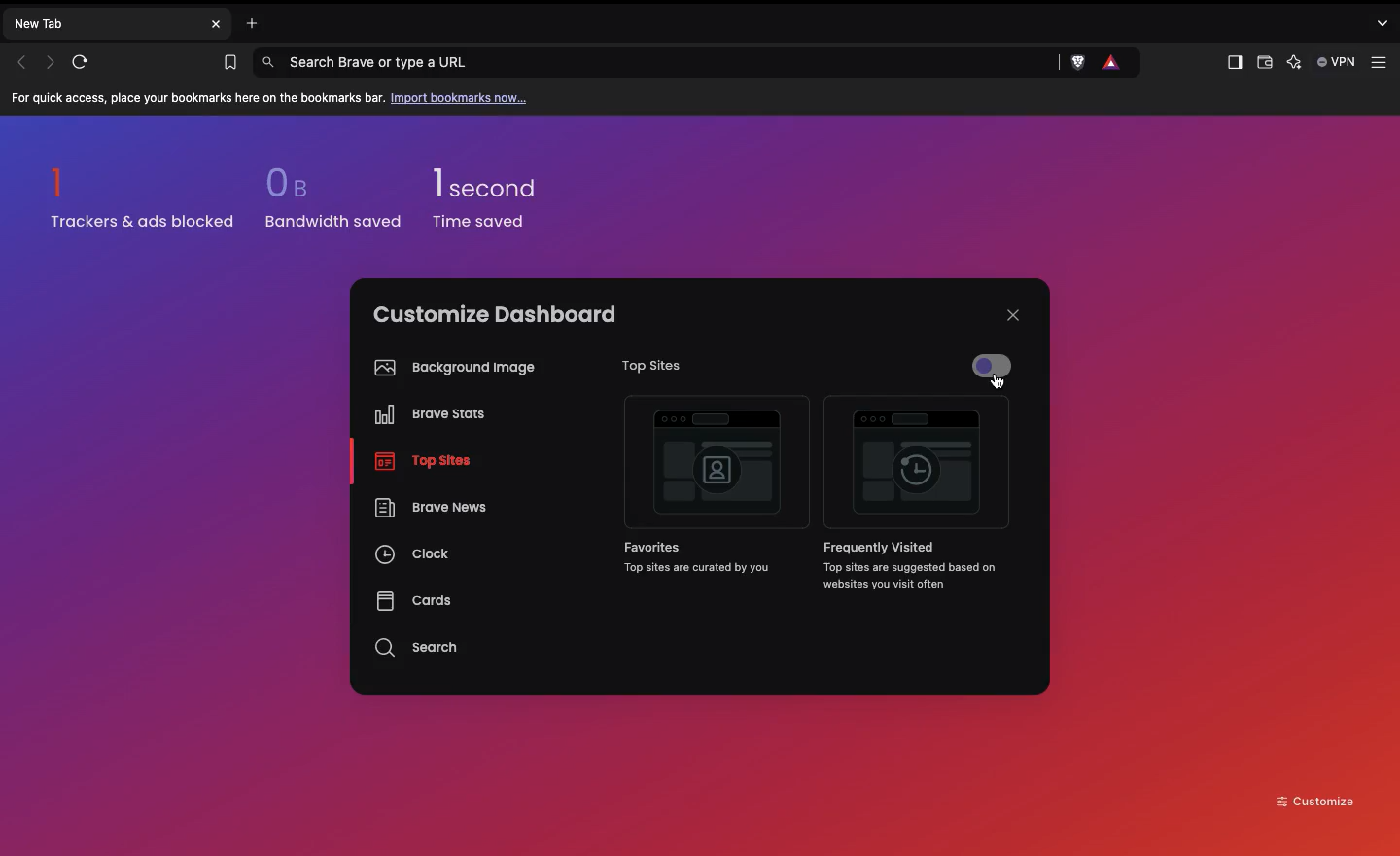 Image resolution: width=1400 pixels, height=856 pixels. I want to click on Cards, so click(413, 600).